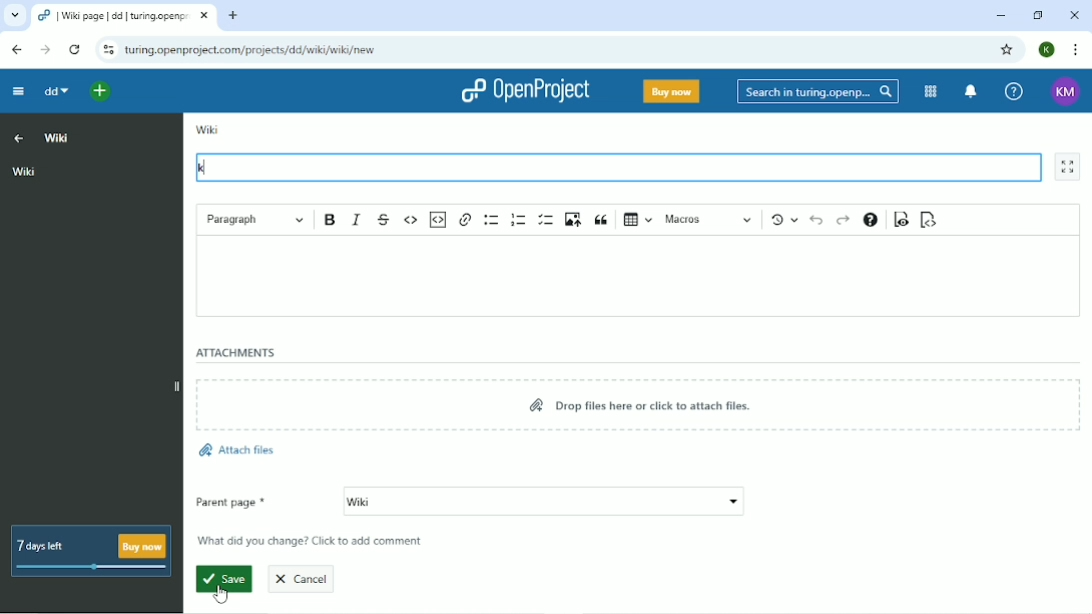 The height and width of the screenshot is (614, 1092). What do you see at coordinates (532, 500) in the screenshot?
I see `wiki` at bounding box center [532, 500].